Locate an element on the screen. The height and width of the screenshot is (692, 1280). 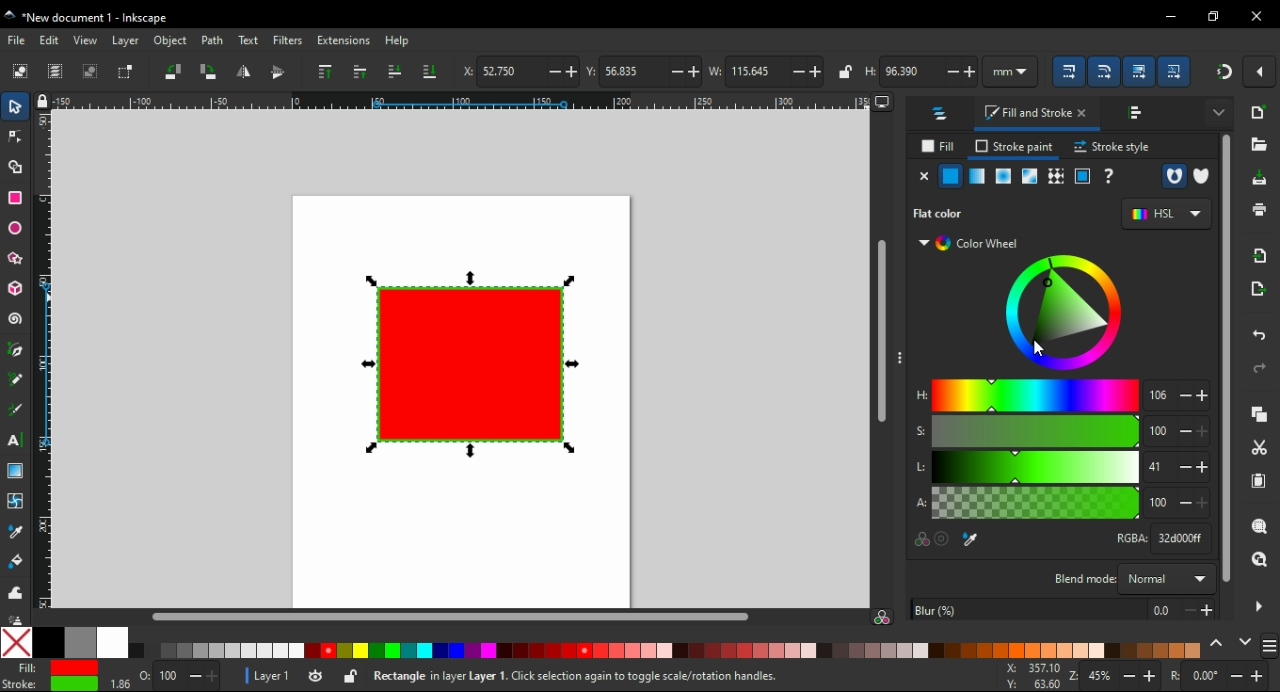
spiral tool is located at coordinates (16, 317).